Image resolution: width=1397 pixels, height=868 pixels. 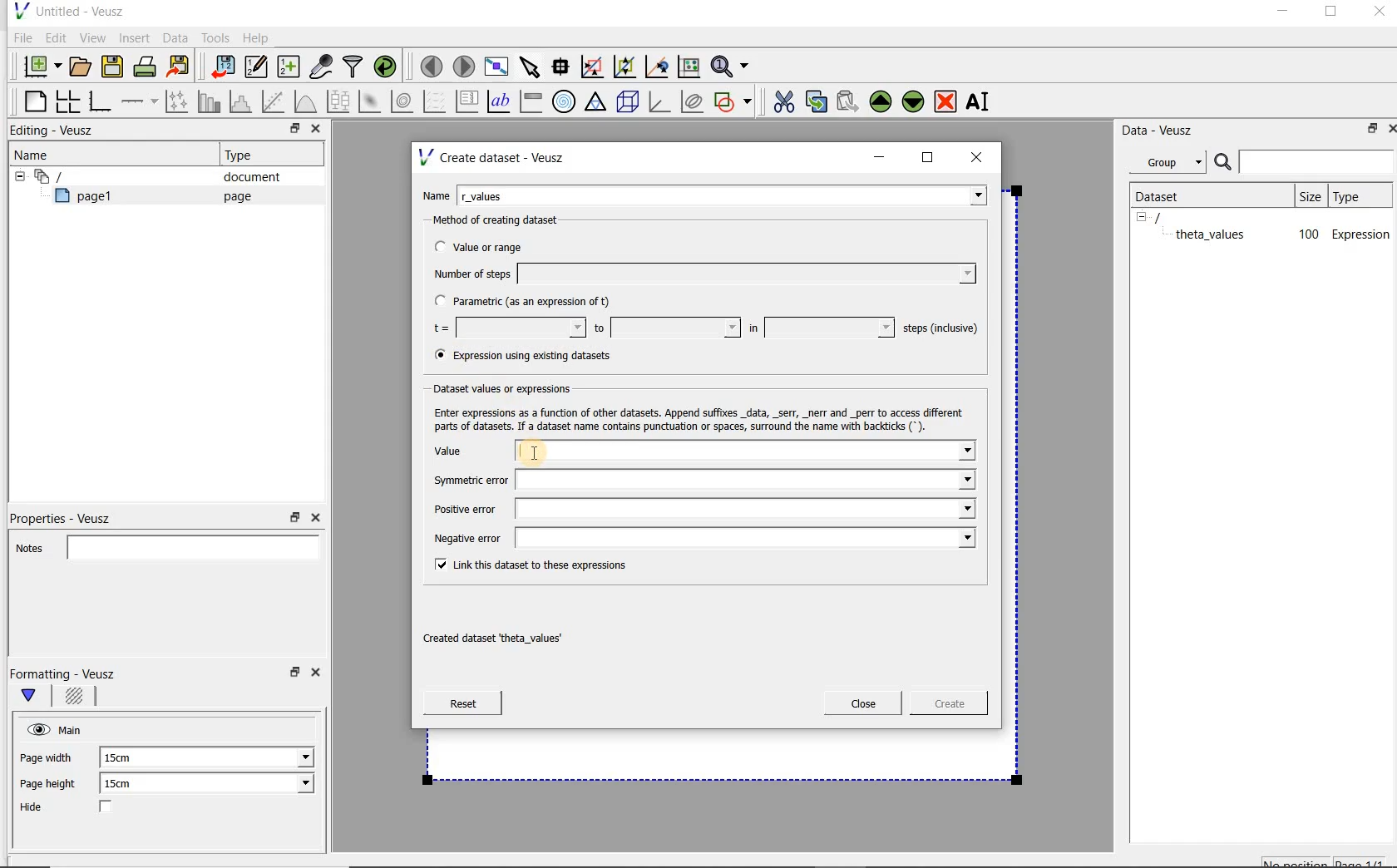 I want to click on Method of creating dataset:, so click(x=508, y=220).